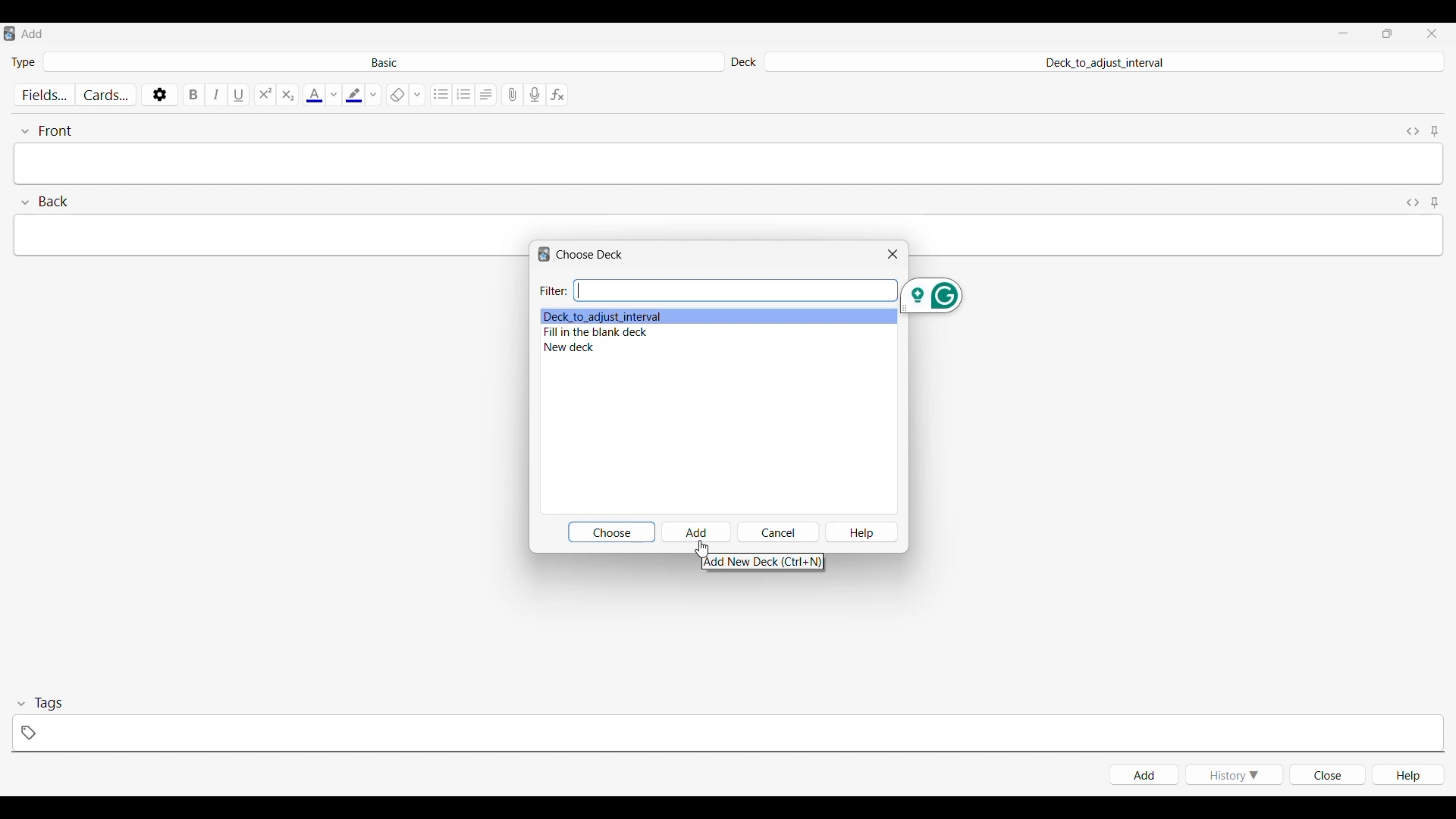 The width and height of the screenshot is (1456, 819). Describe the element at coordinates (33, 33) in the screenshot. I see `Window name` at that location.